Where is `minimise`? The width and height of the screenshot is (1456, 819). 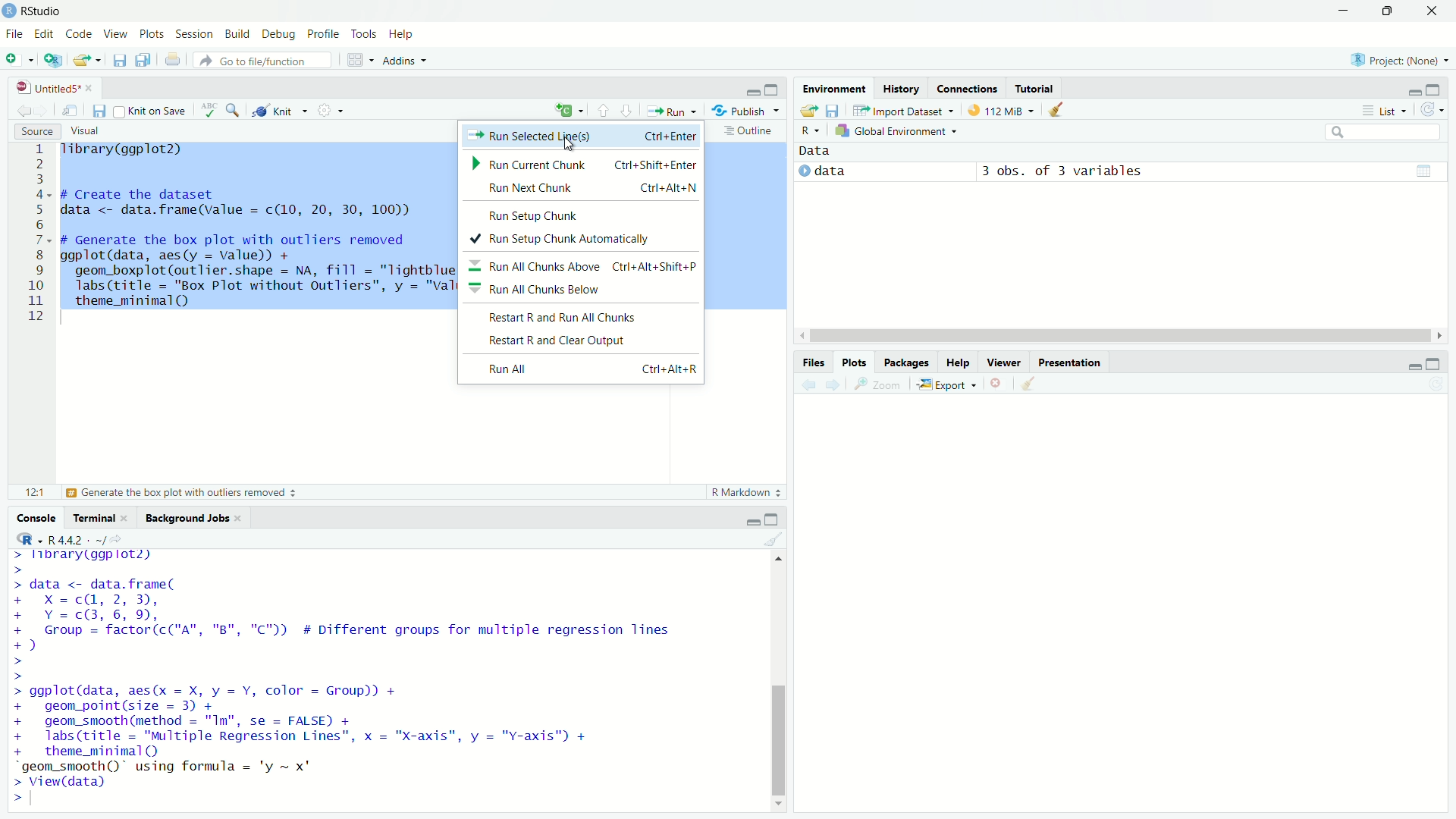
minimise is located at coordinates (1407, 369).